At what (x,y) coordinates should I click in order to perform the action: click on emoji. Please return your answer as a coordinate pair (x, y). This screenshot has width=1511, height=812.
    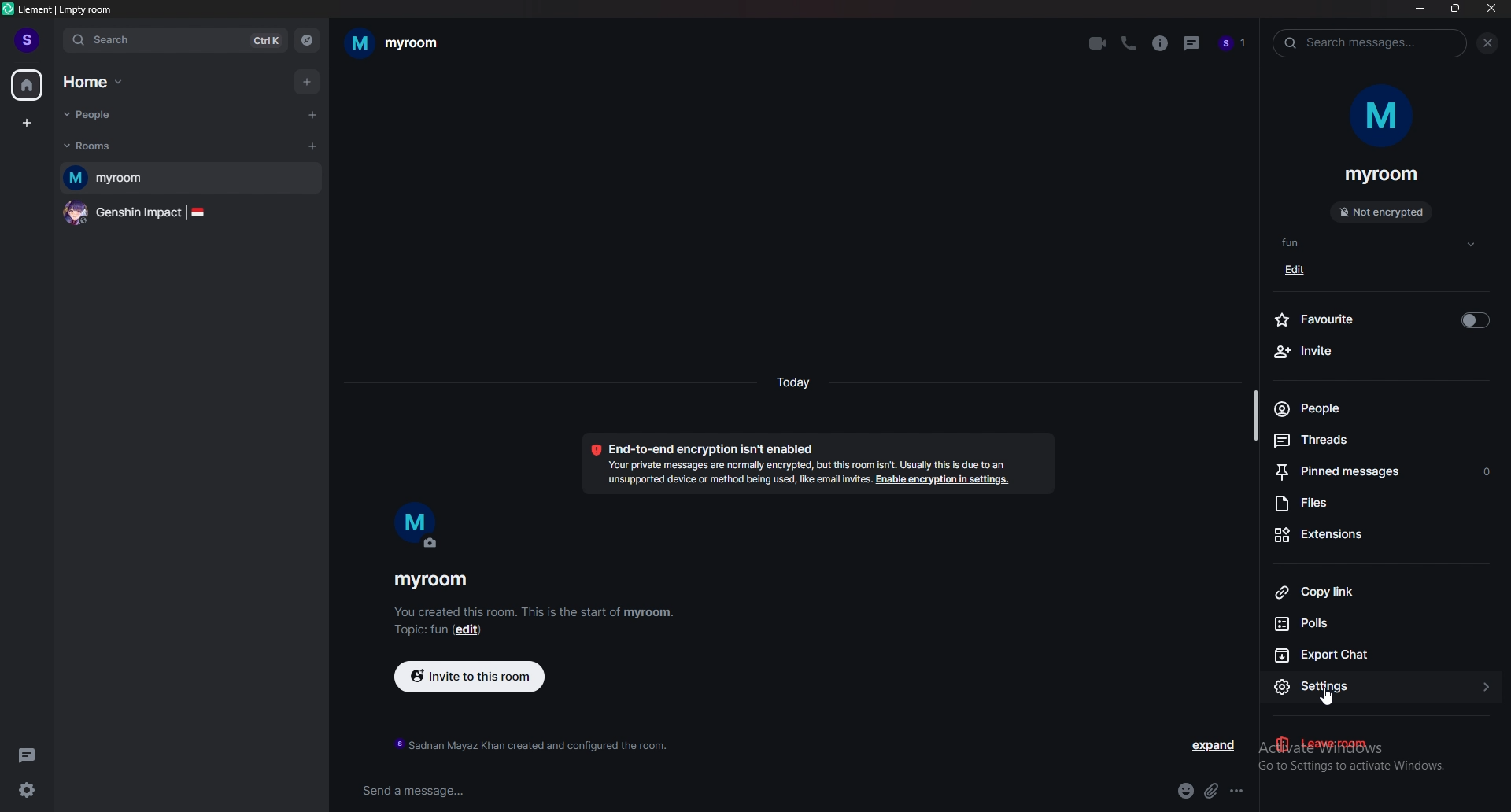
    Looking at the image, I should click on (1185, 792).